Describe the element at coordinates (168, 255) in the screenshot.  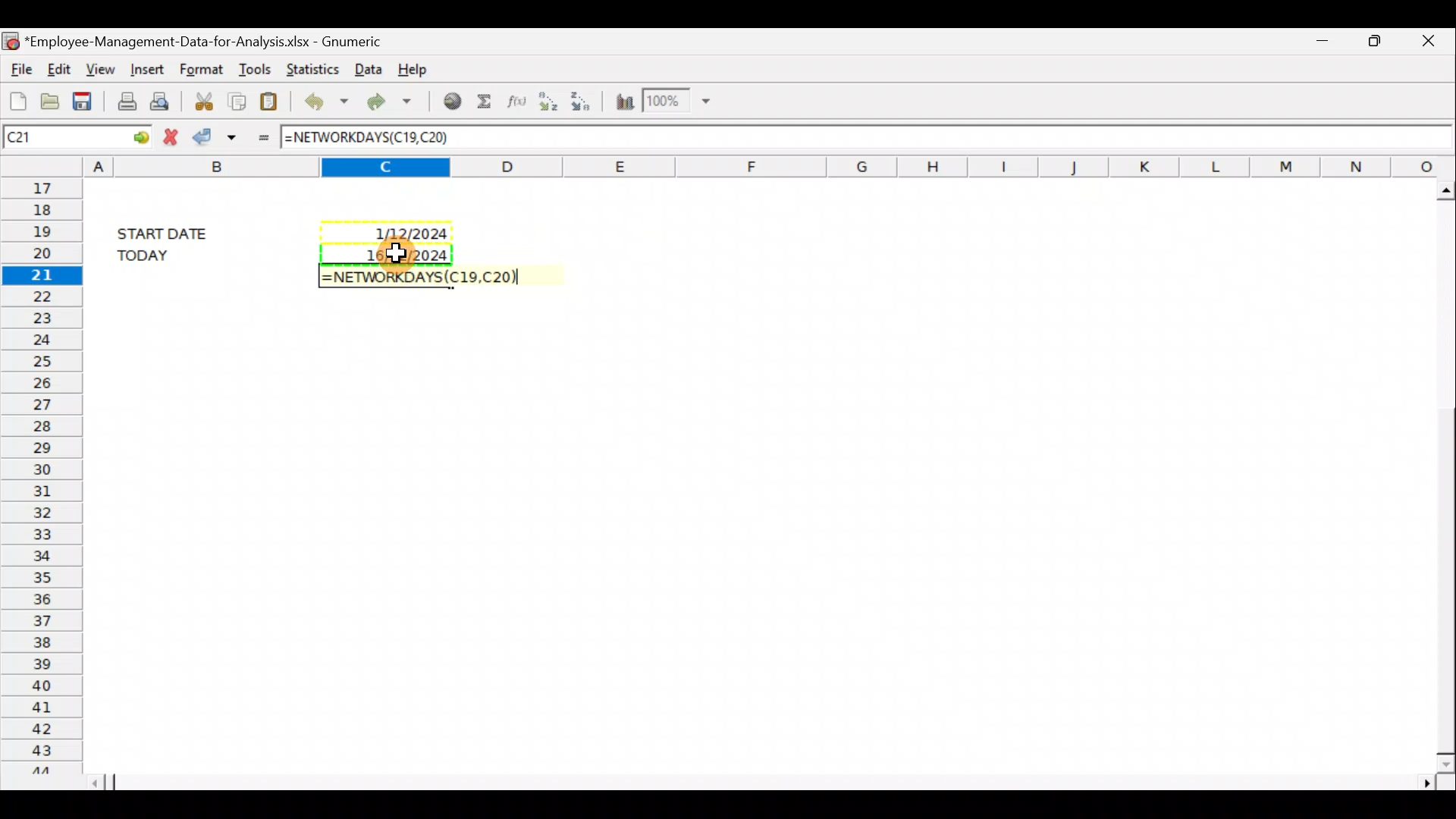
I see `TODAY` at that location.